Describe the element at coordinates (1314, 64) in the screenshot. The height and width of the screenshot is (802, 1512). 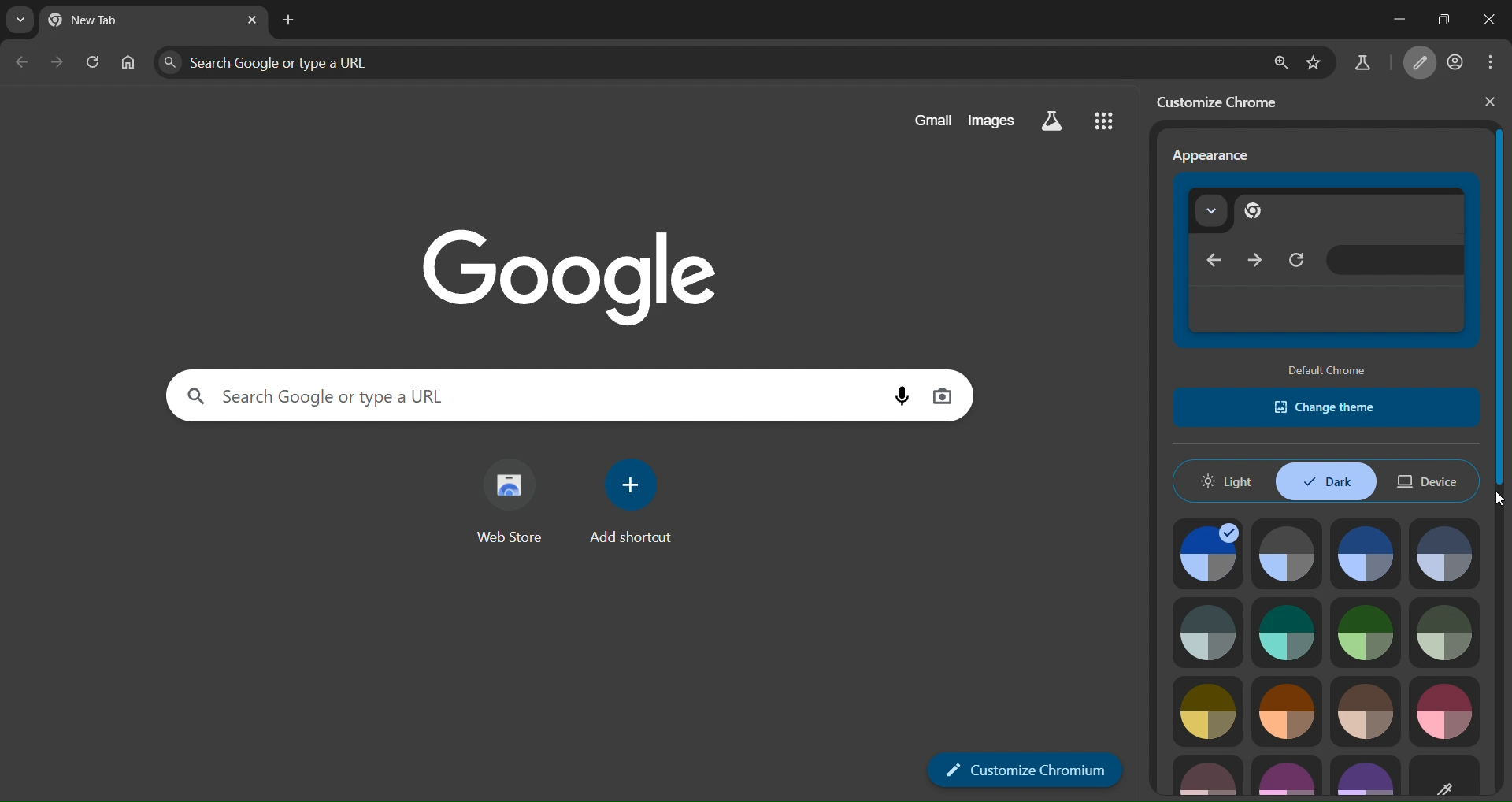
I see `bookmark ` at that location.